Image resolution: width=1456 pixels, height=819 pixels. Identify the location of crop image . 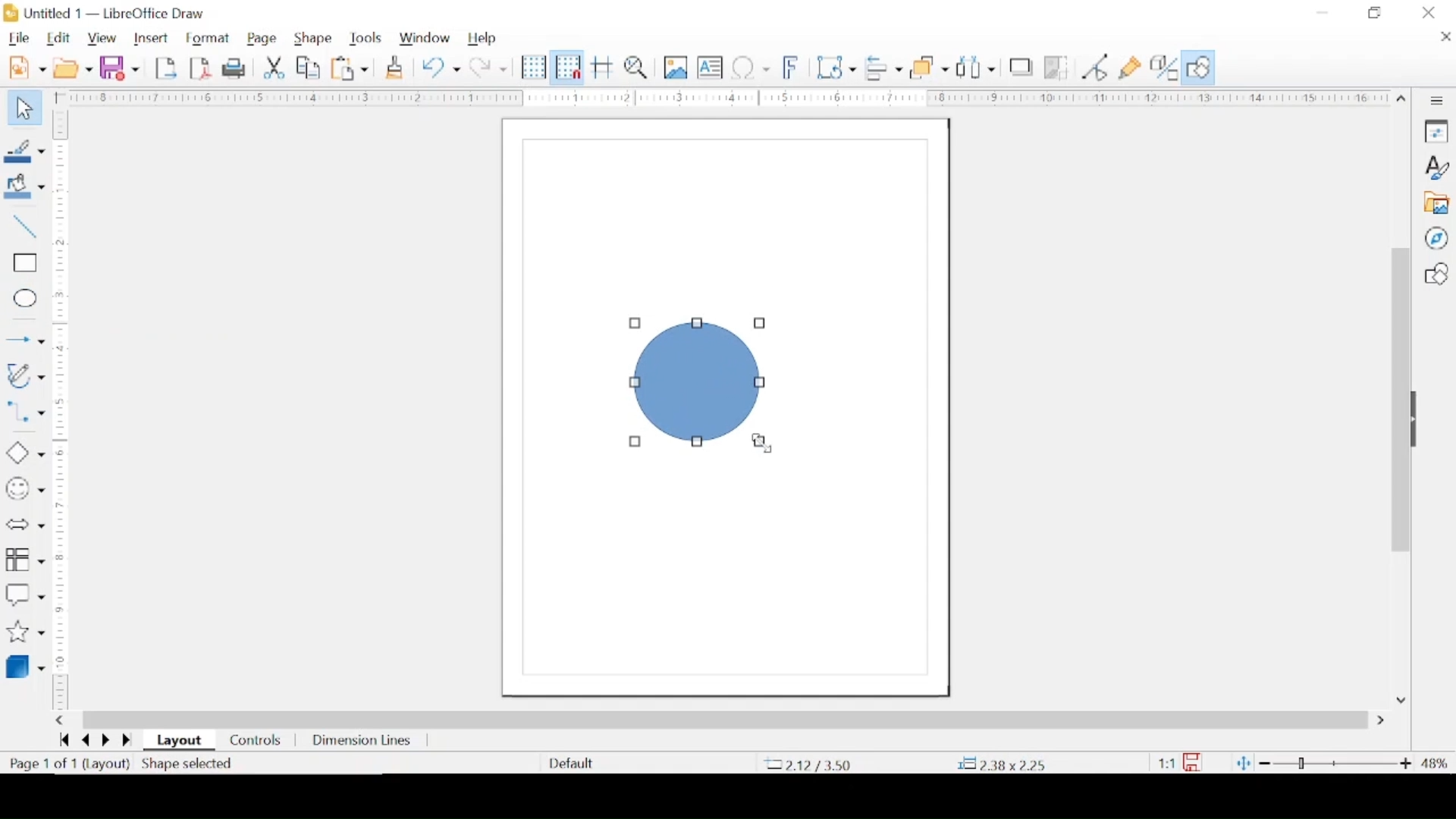
(1056, 67).